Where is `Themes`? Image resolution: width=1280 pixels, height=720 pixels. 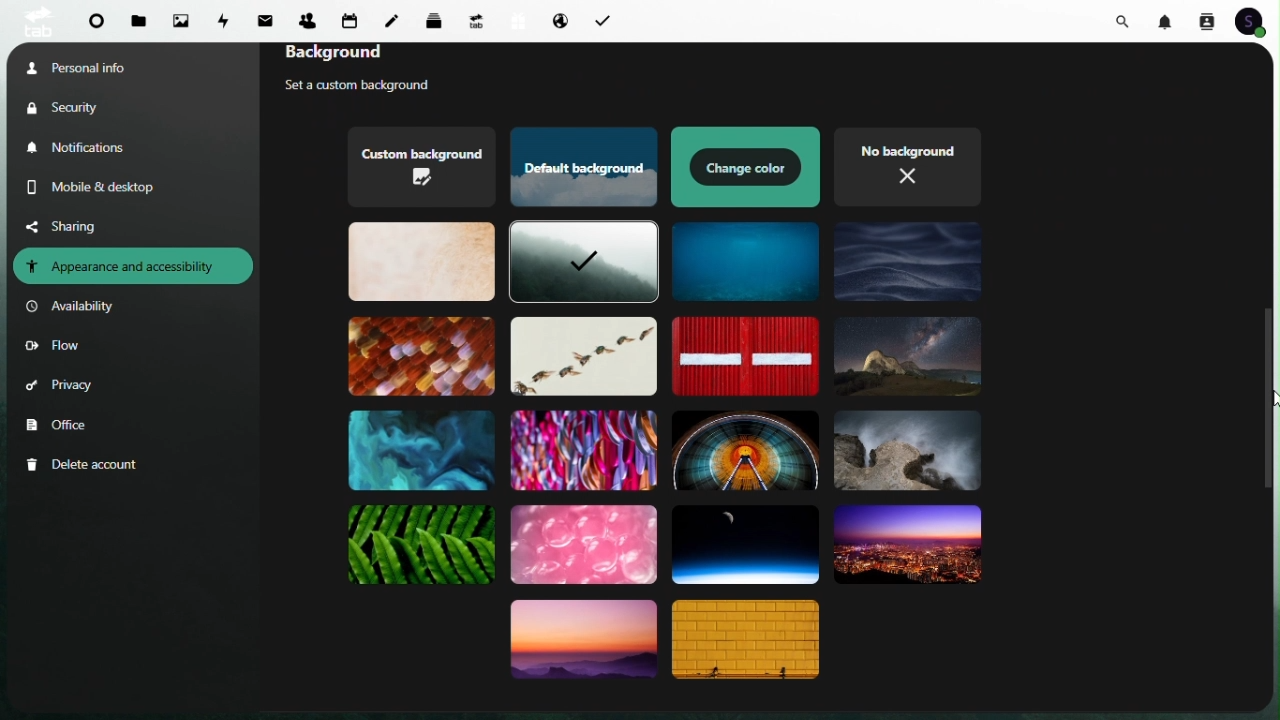
Themes is located at coordinates (749, 642).